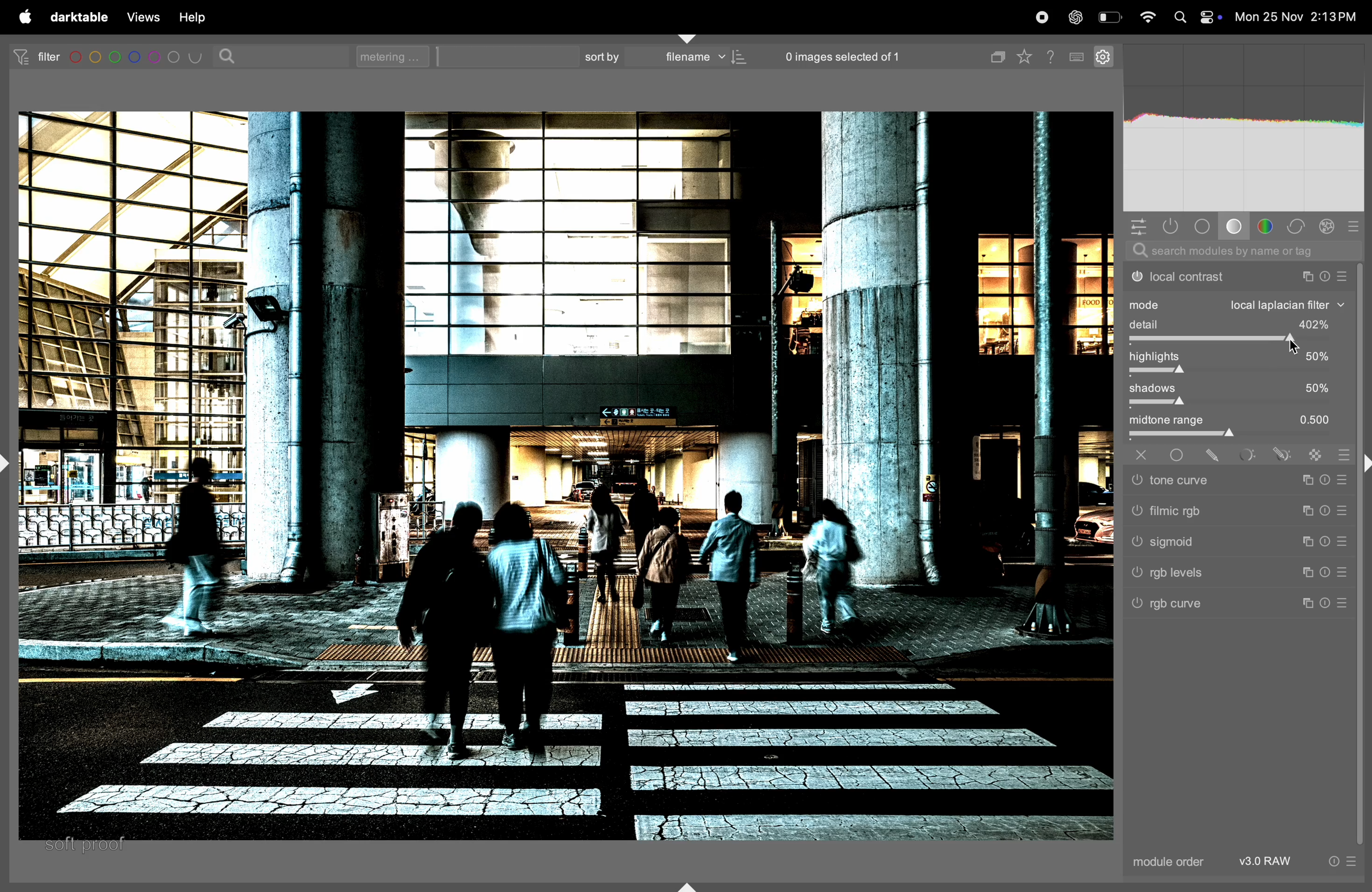 This screenshot has height=892, width=1372. Describe the element at coordinates (1139, 605) in the screenshot. I see `rgb curve switched off` at that location.